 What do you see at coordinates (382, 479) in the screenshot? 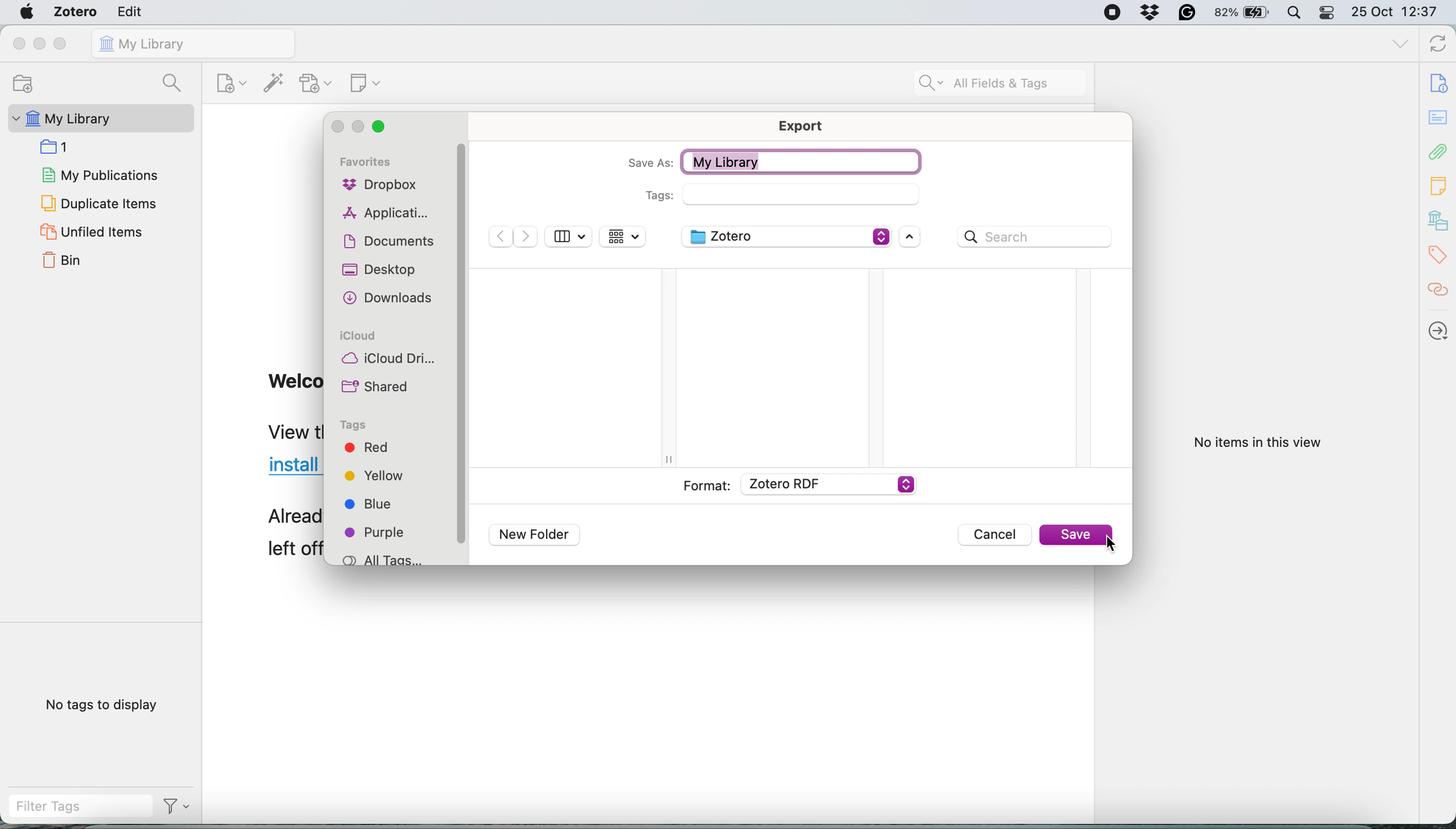
I see `Yellow` at bounding box center [382, 479].